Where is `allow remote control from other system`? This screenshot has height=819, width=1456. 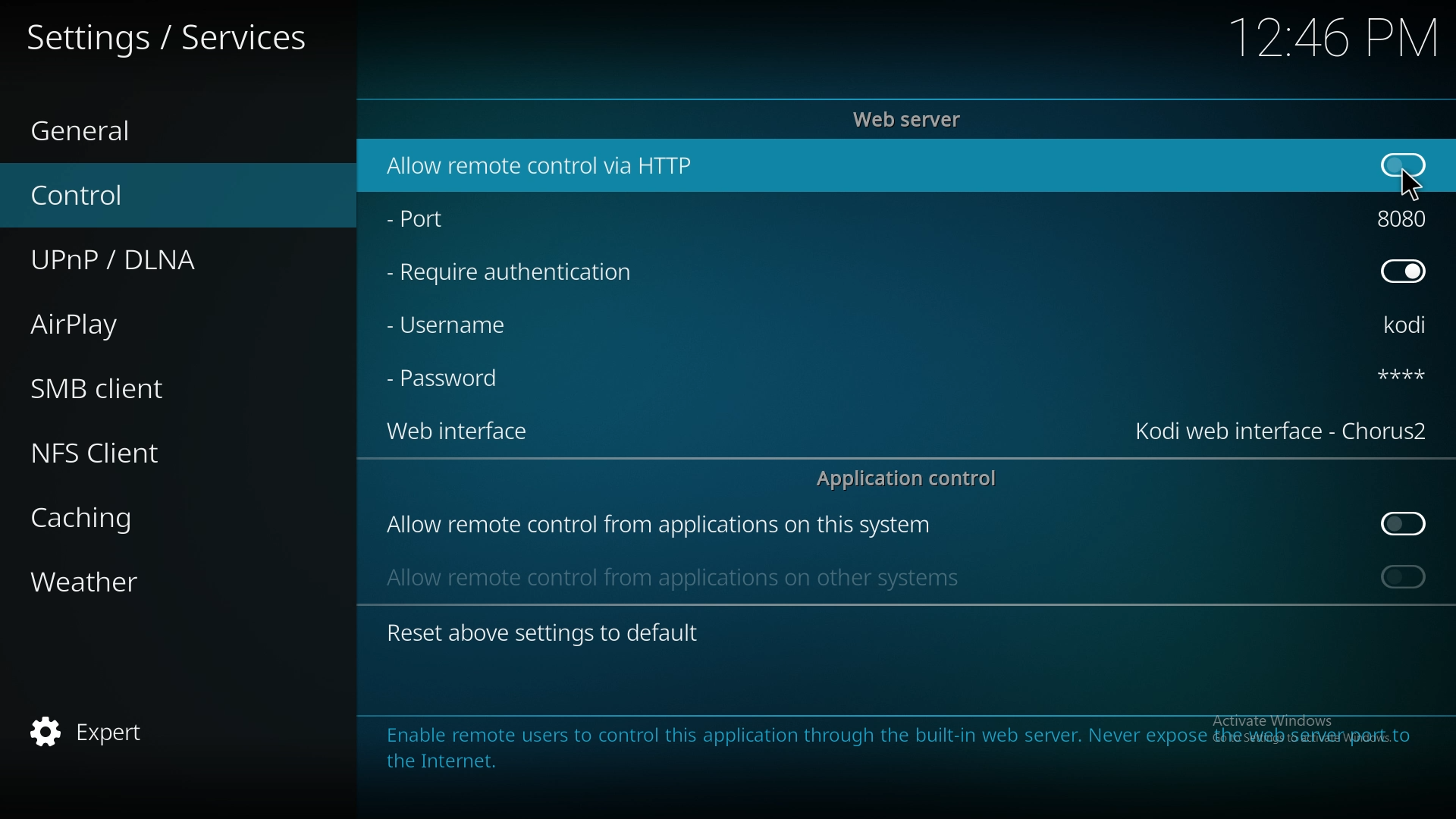
allow remote control from other system is located at coordinates (670, 576).